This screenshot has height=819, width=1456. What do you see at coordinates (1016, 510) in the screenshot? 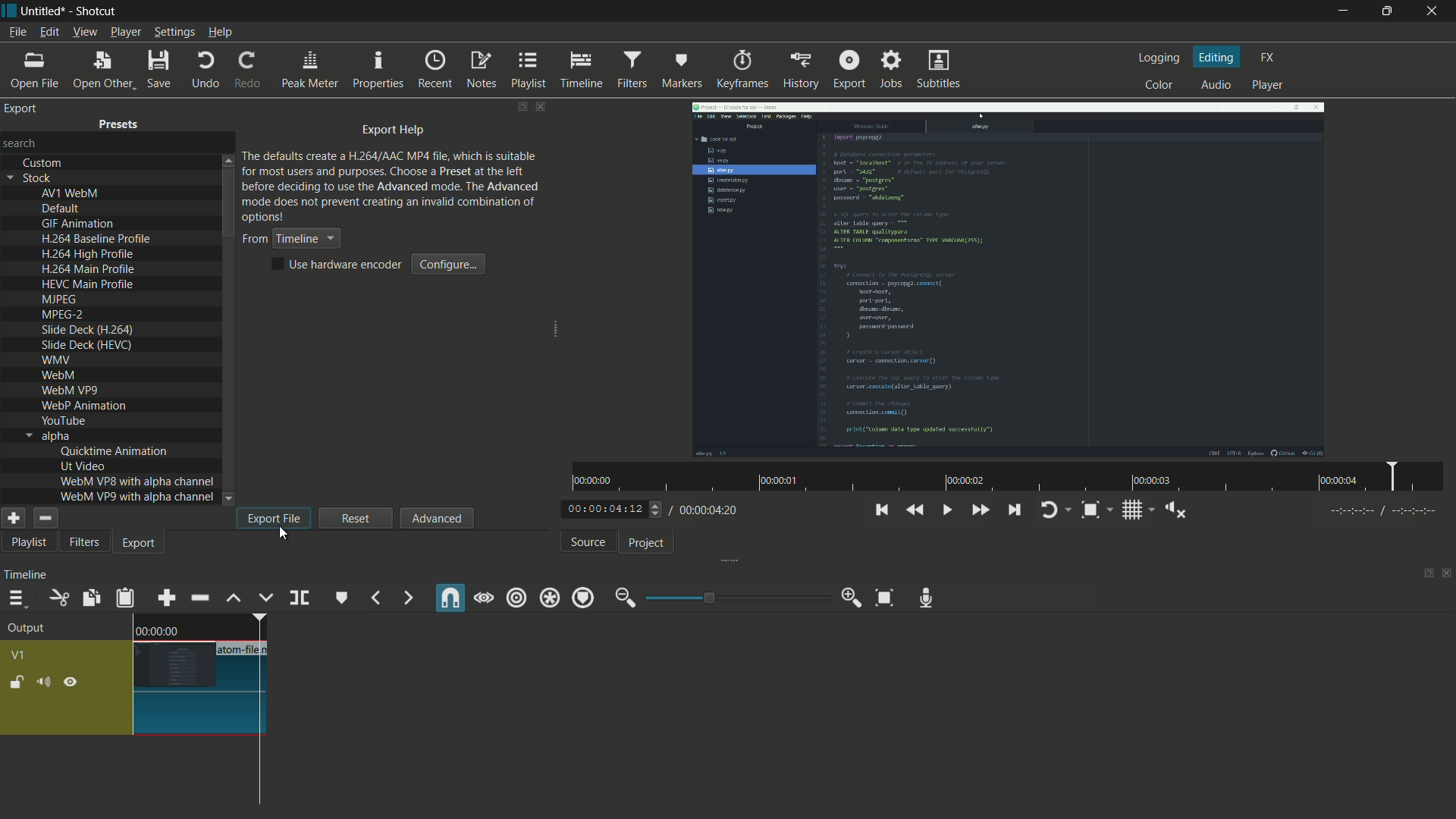
I see `skip to the next point` at bounding box center [1016, 510].